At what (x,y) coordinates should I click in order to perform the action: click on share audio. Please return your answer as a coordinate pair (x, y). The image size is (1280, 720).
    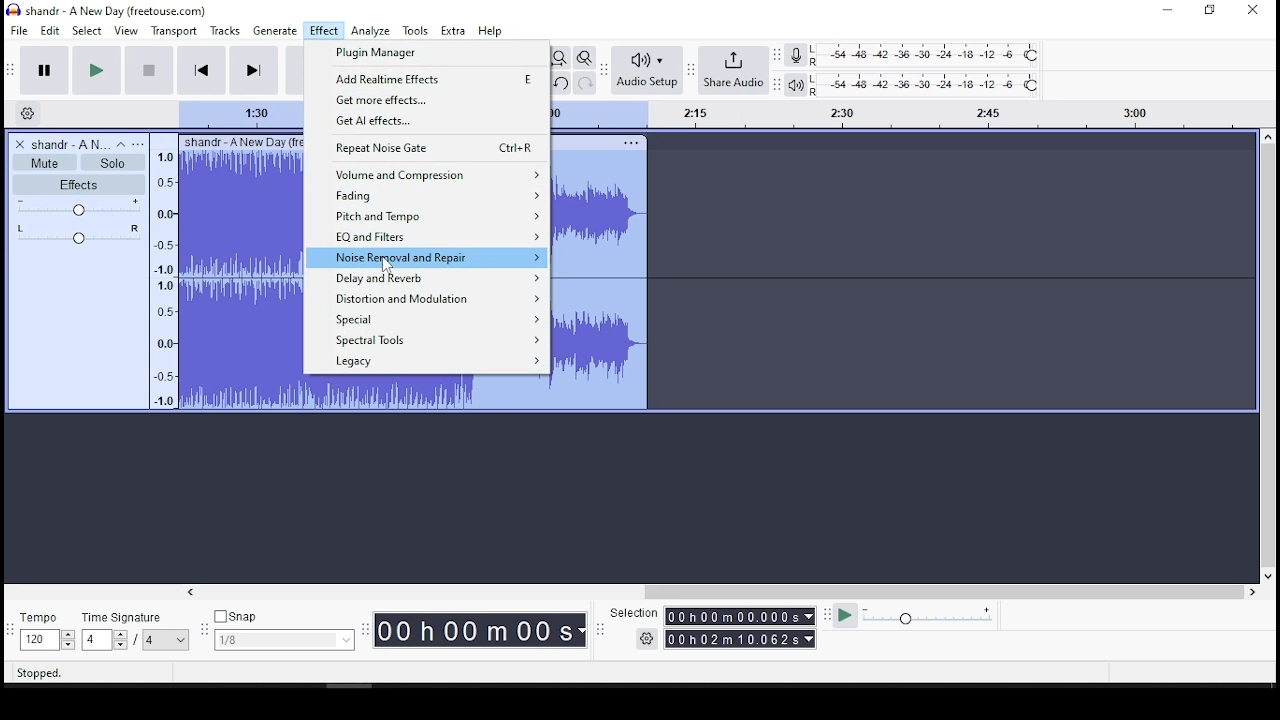
    Looking at the image, I should click on (733, 71).